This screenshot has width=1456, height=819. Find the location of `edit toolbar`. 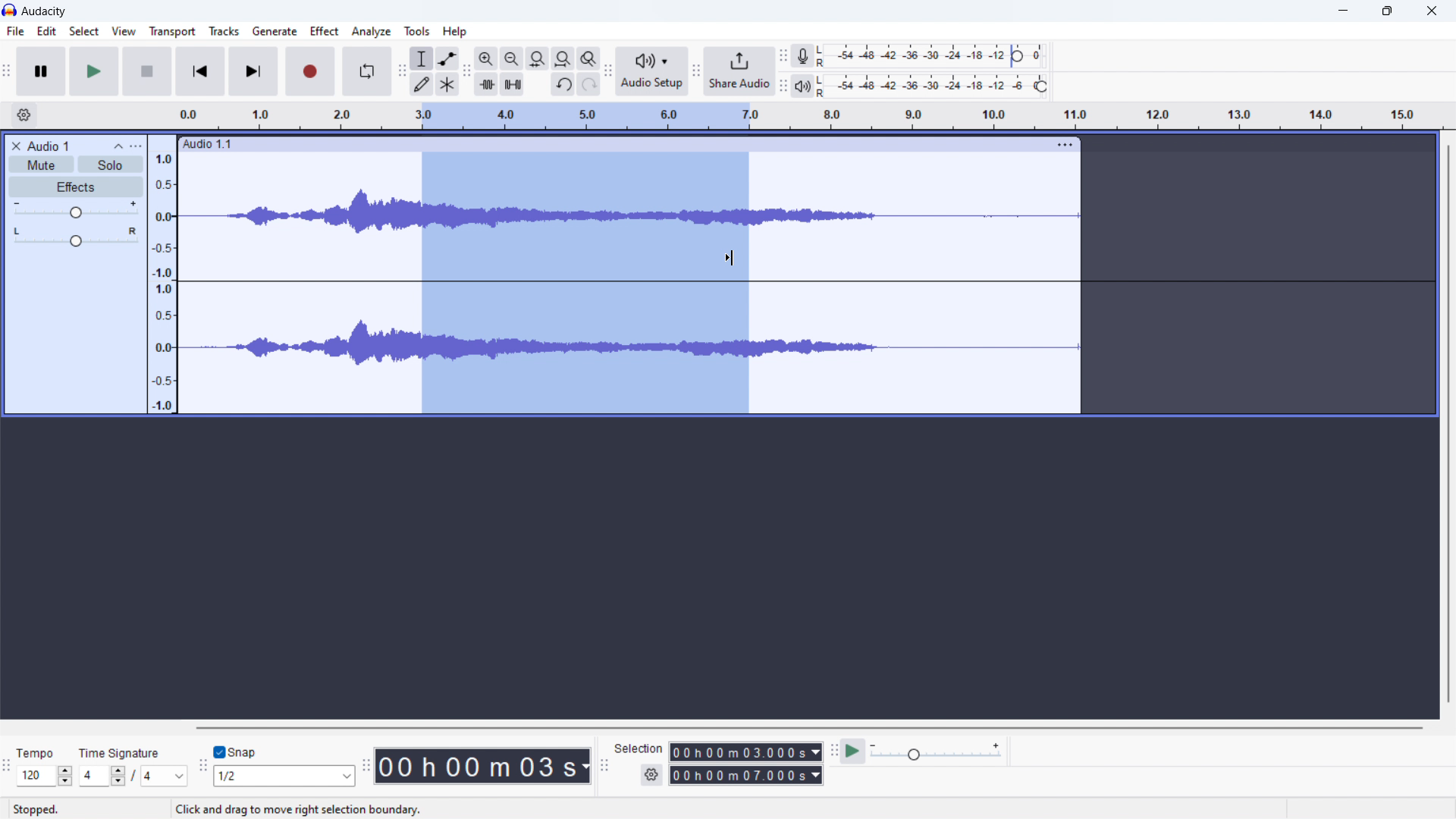

edit toolbar is located at coordinates (466, 72).